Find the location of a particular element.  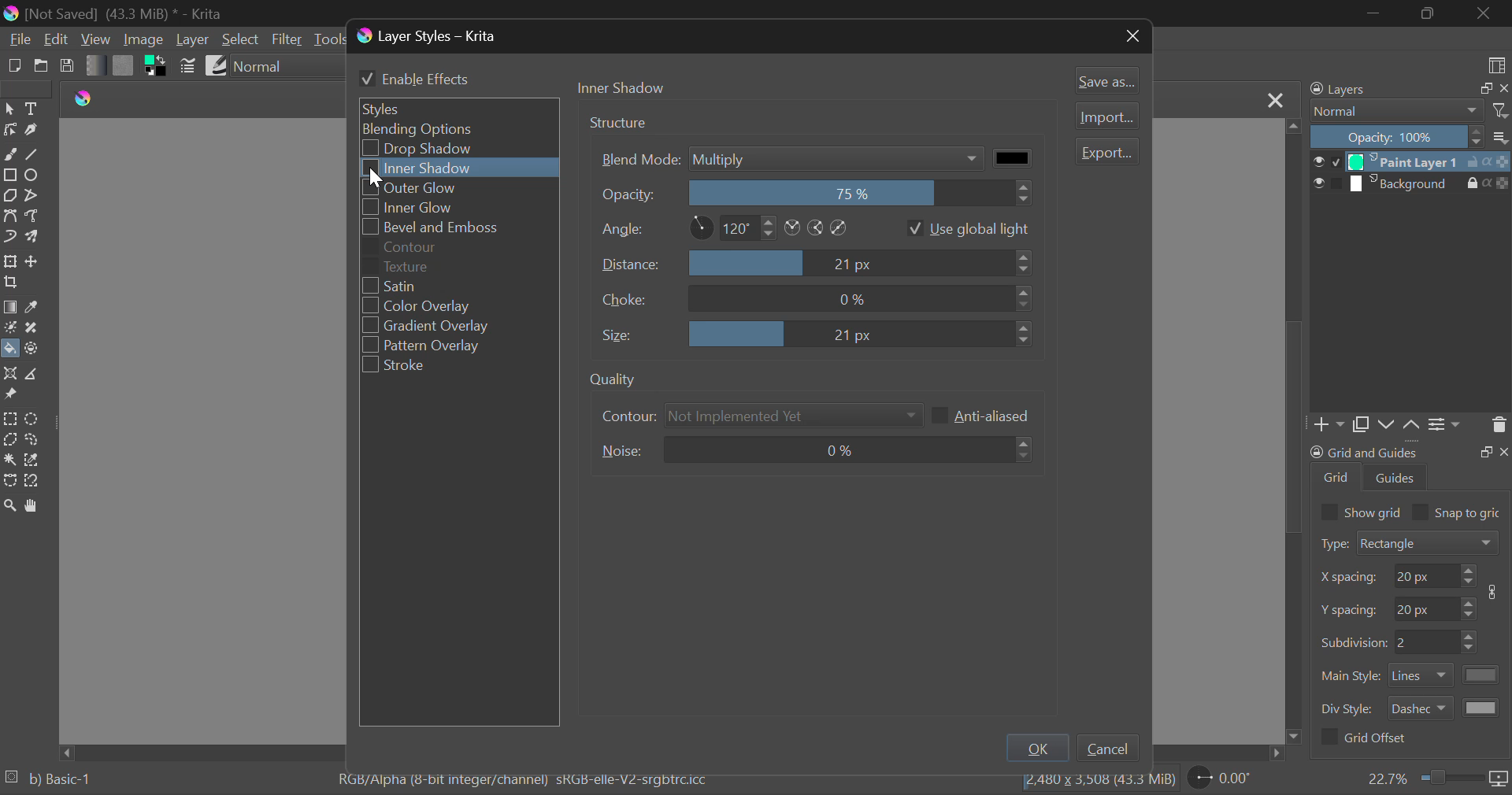

Colors in Use is located at coordinates (157, 68).